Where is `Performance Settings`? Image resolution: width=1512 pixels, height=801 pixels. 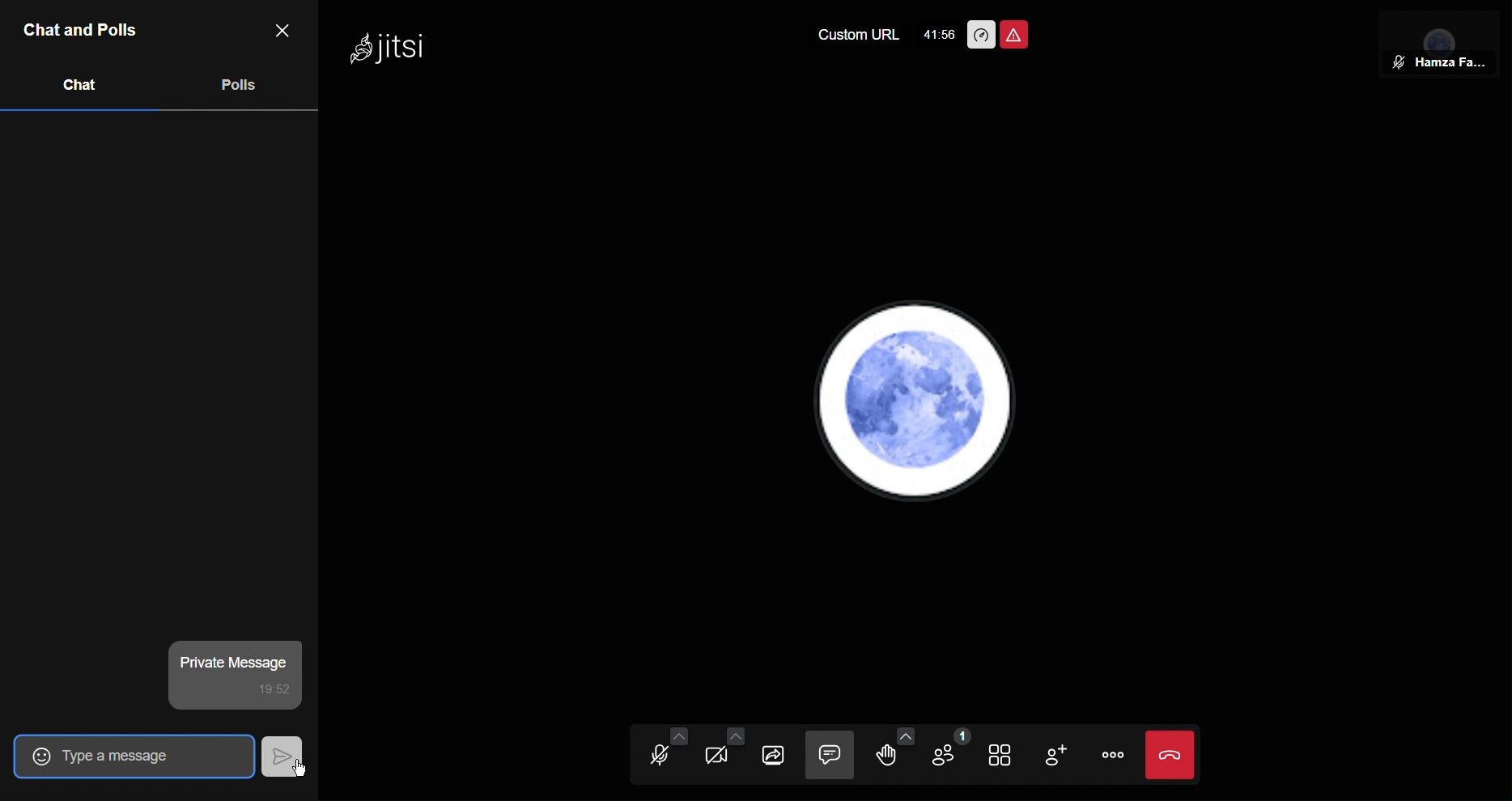
Performance Settings is located at coordinates (977, 34).